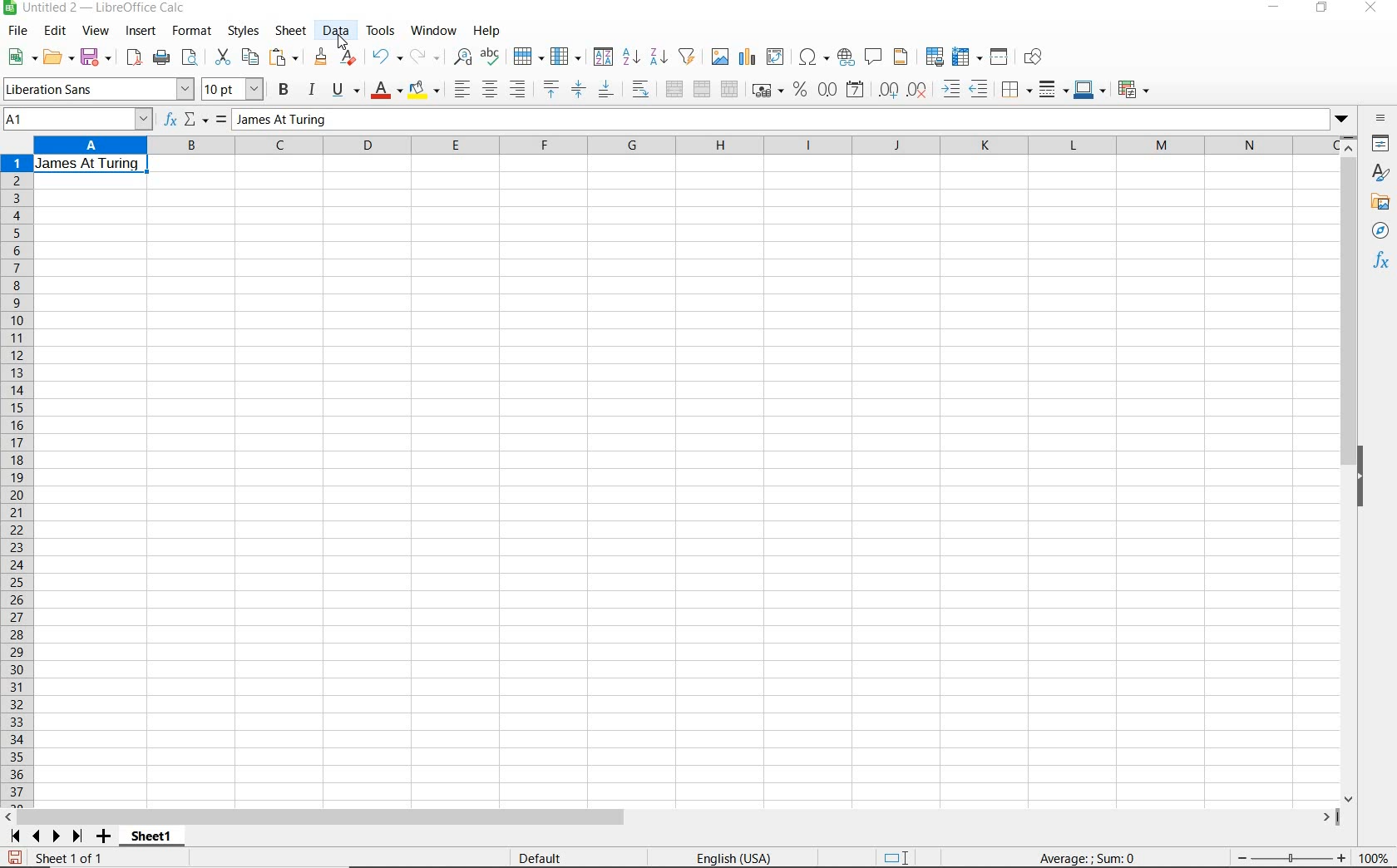 This screenshot has height=868, width=1397. What do you see at coordinates (487, 31) in the screenshot?
I see `help` at bounding box center [487, 31].